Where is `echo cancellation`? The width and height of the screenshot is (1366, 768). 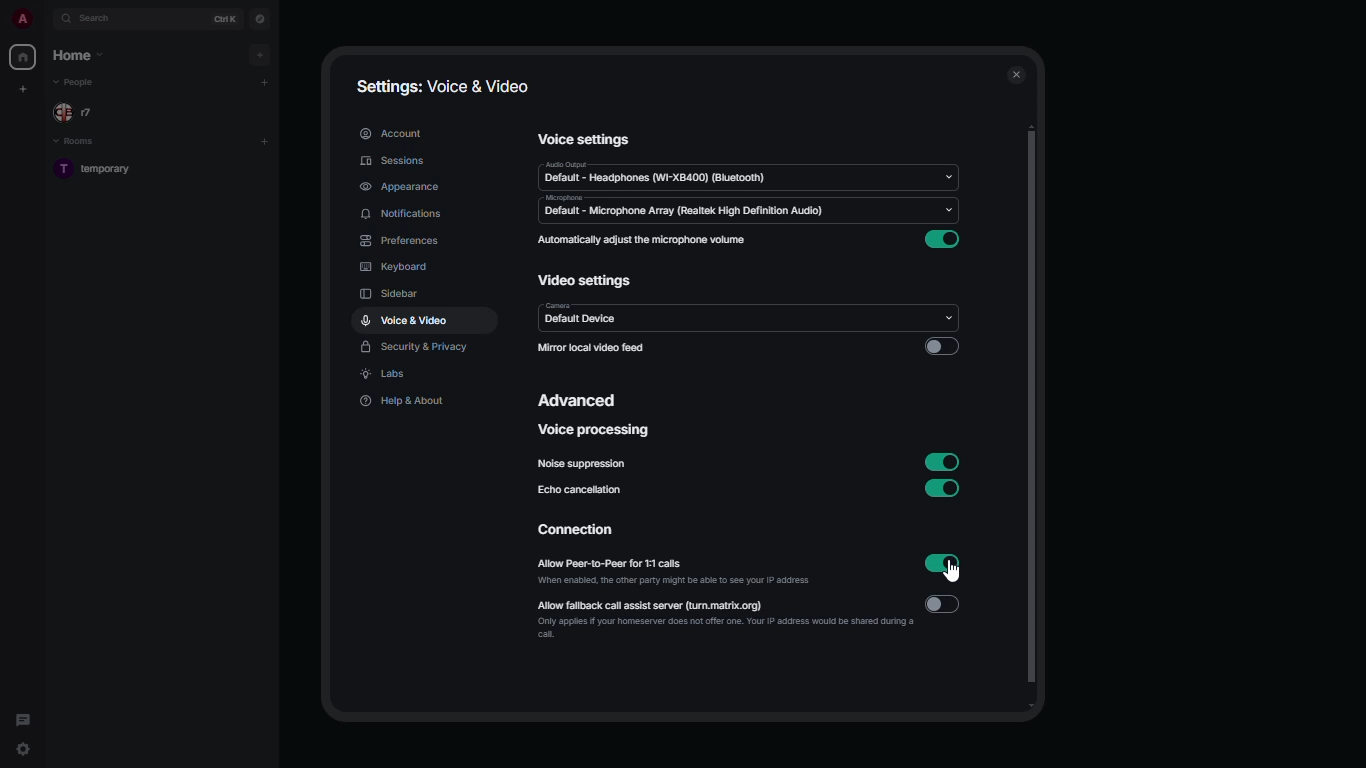 echo cancellation is located at coordinates (582, 490).